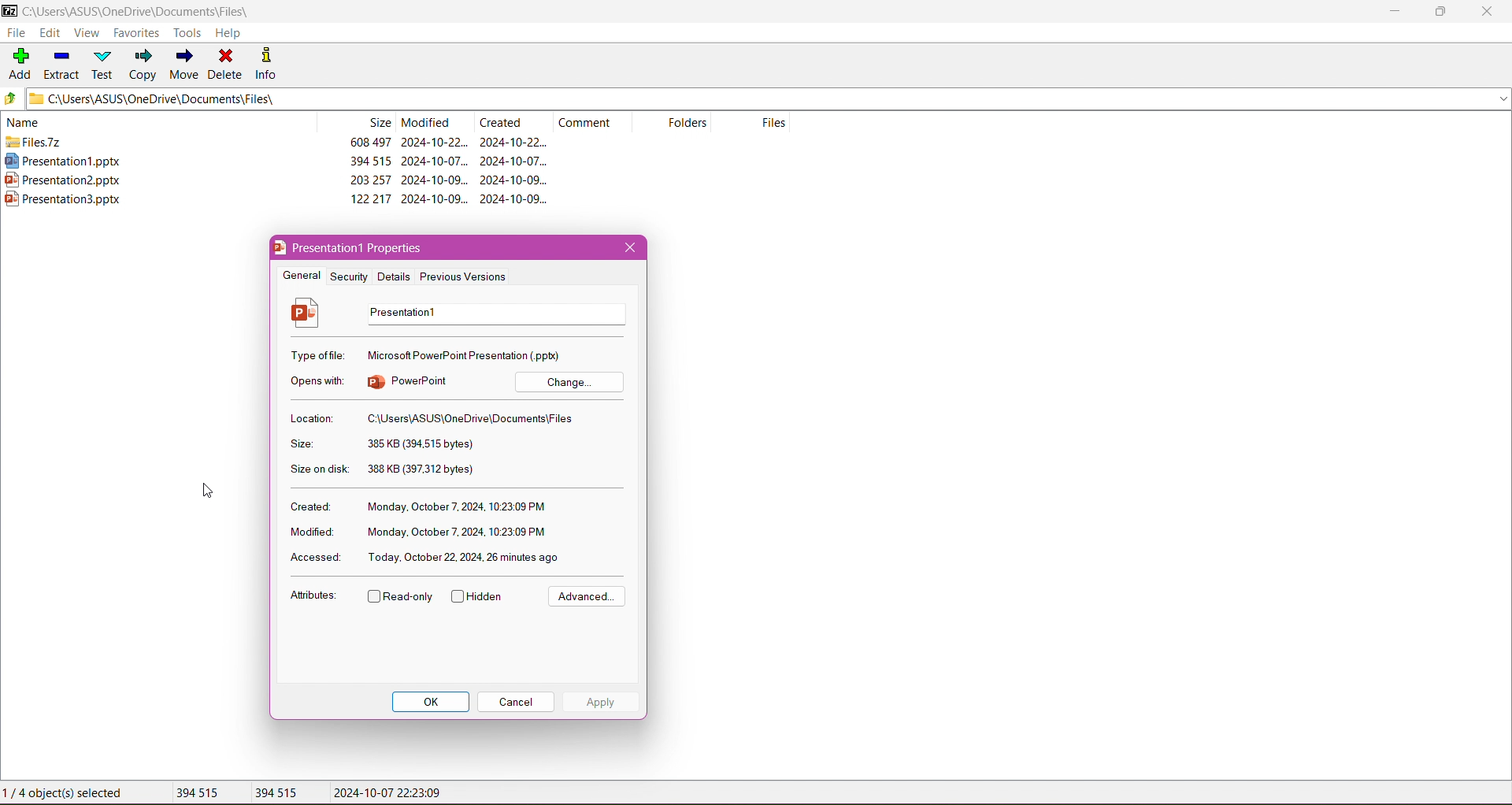  I want to click on 388 KB (397,312 bytes), so click(439, 471).